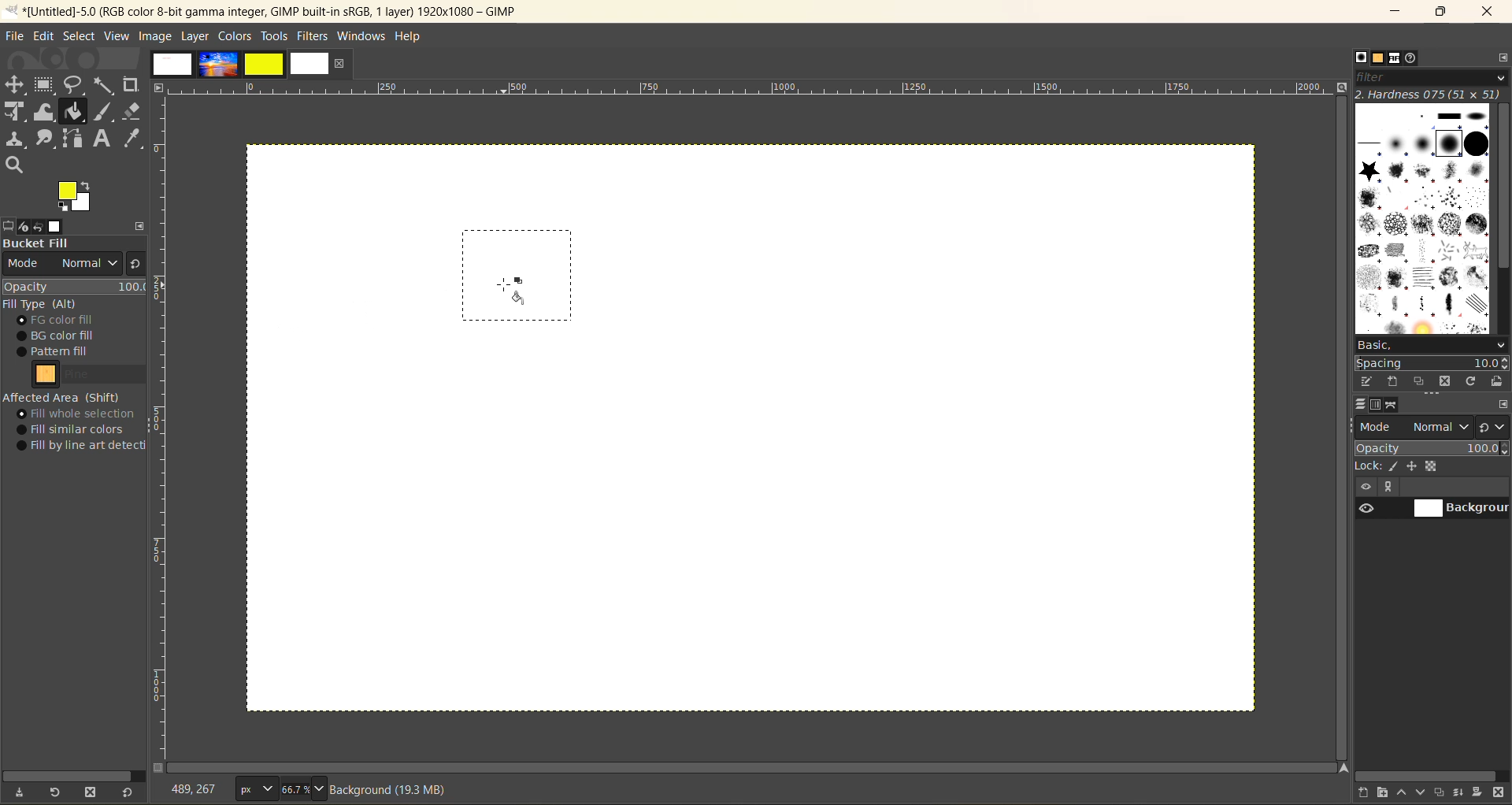  I want to click on tools, so click(72, 123).